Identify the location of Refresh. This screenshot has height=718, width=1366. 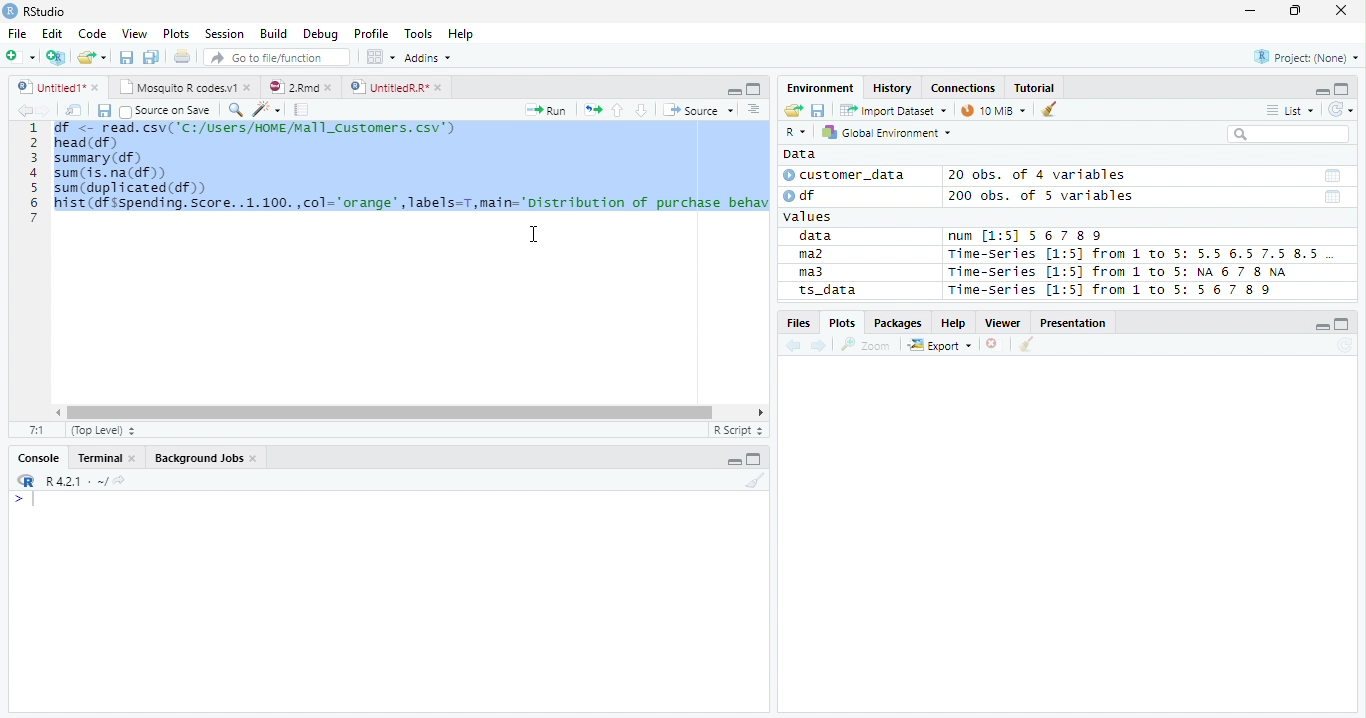
(1345, 346).